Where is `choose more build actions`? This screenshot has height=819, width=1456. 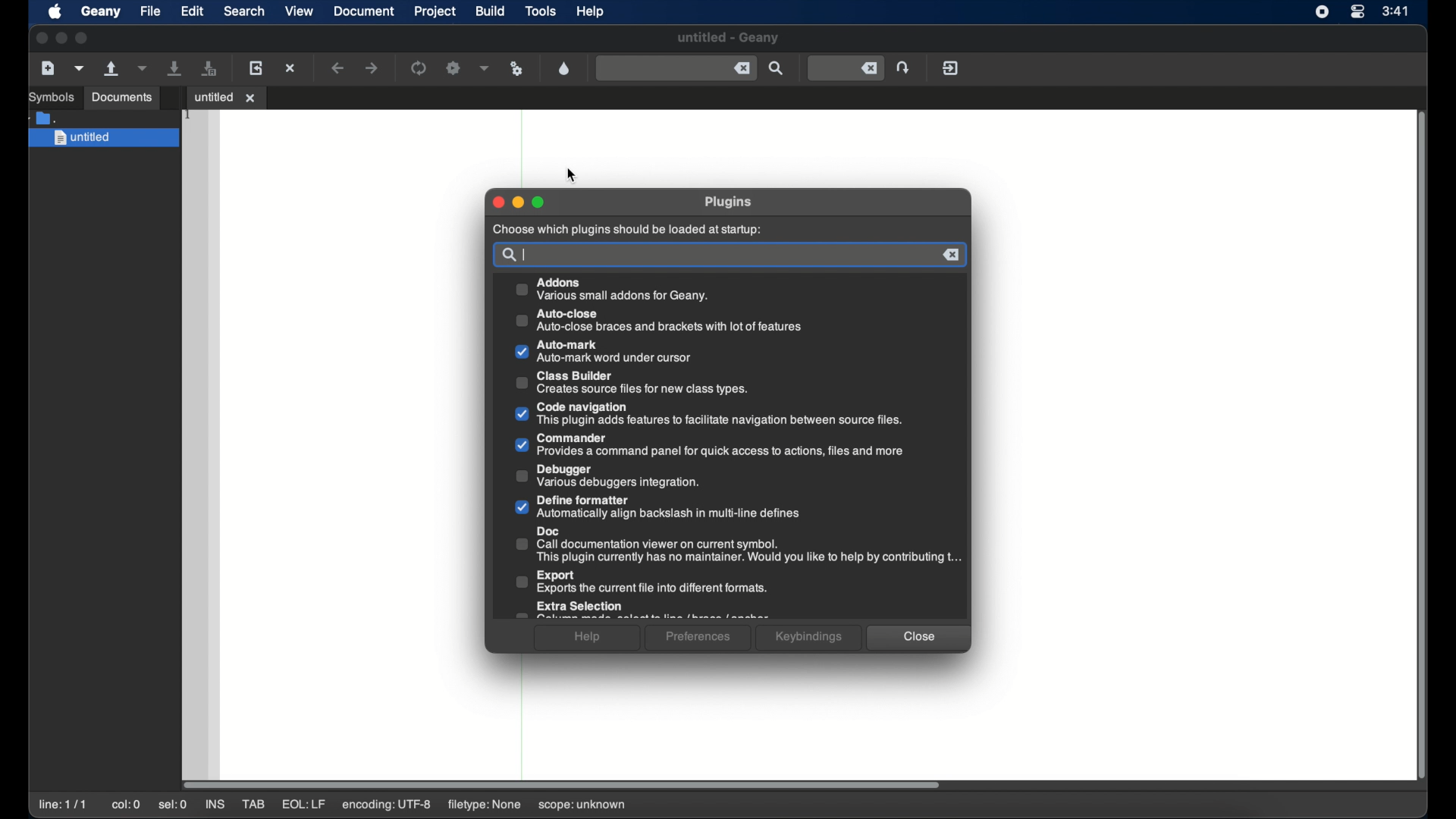
choose more build actions is located at coordinates (485, 68).